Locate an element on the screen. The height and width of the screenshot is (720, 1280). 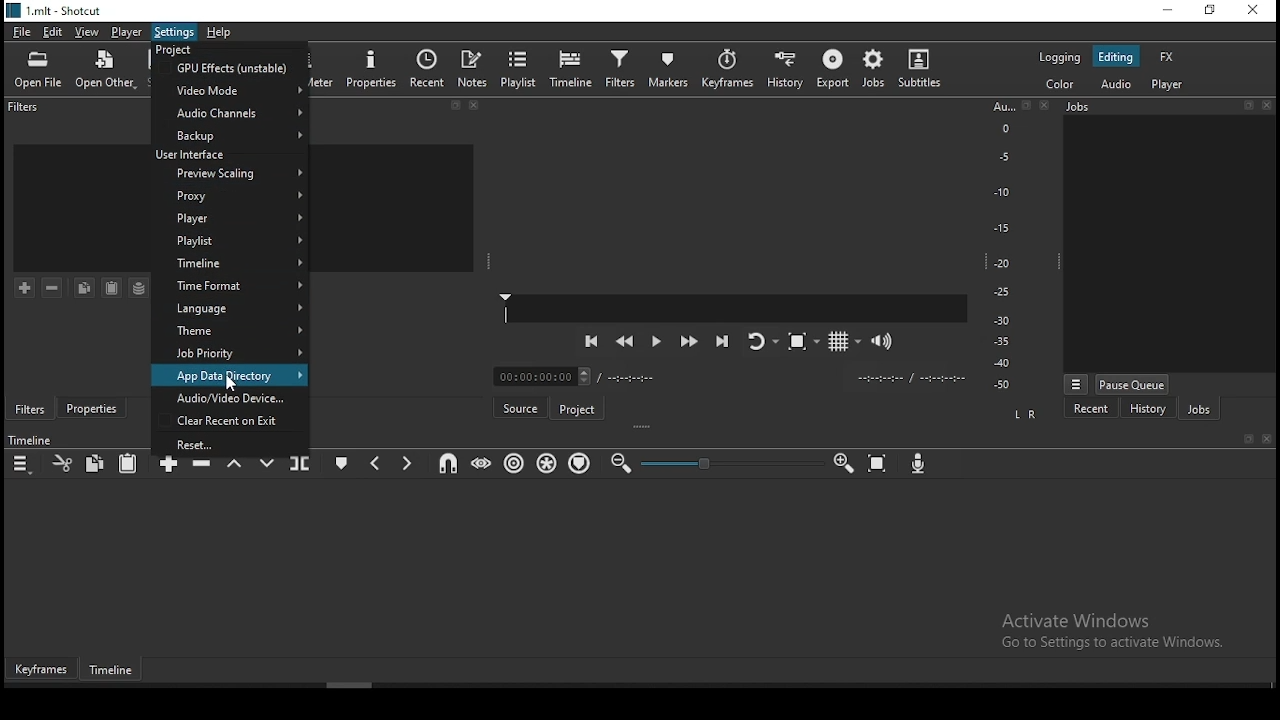
audio channels is located at coordinates (231, 115).